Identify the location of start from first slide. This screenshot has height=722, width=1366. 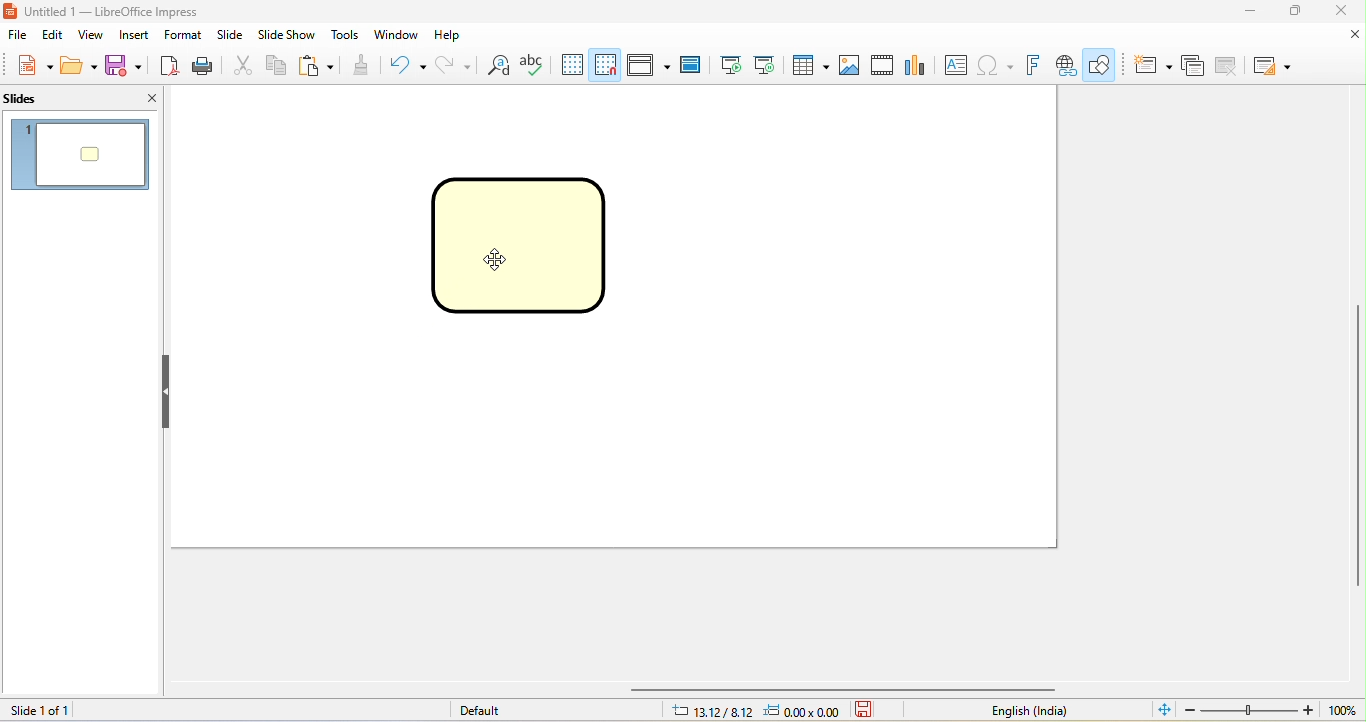
(729, 64).